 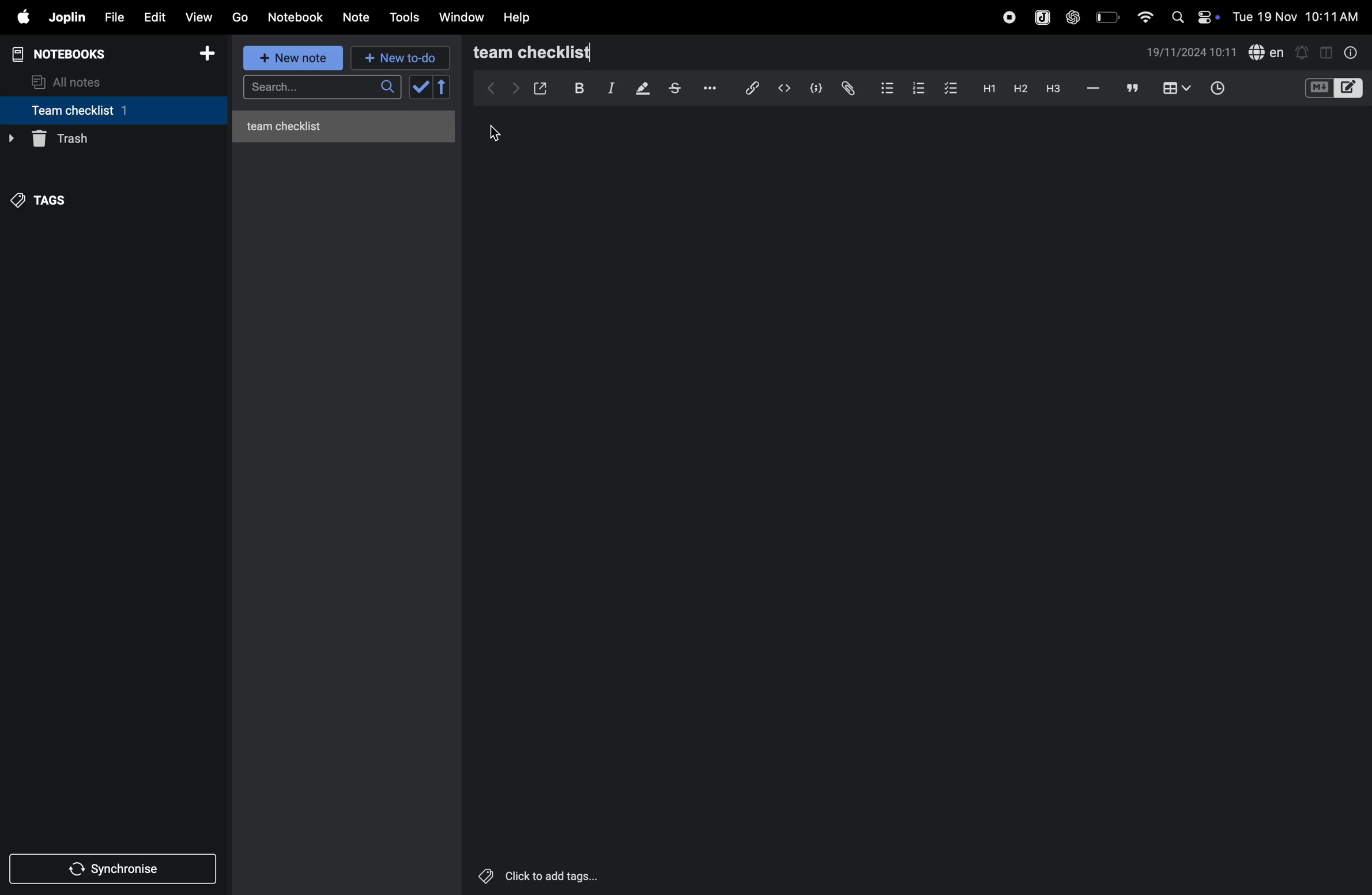 I want to click on window, so click(x=461, y=18).